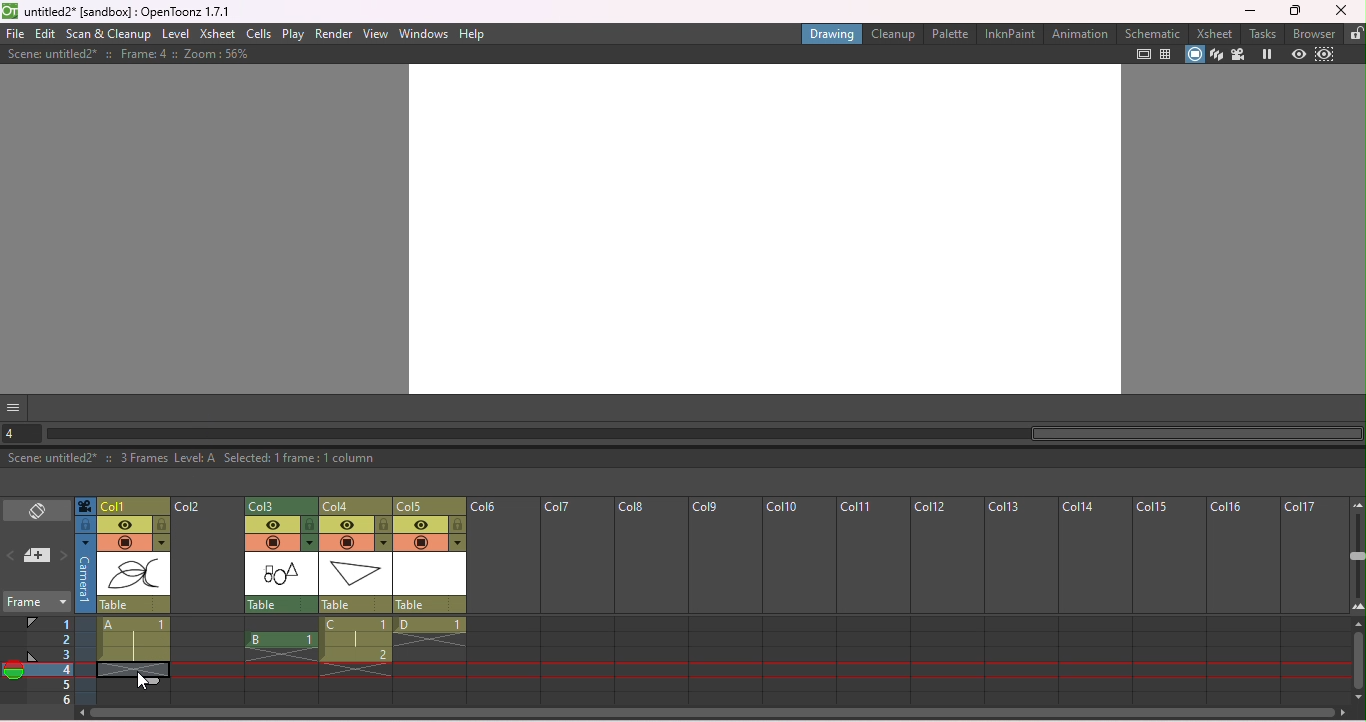 This screenshot has width=1366, height=722. I want to click on Preview, so click(1298, 55).